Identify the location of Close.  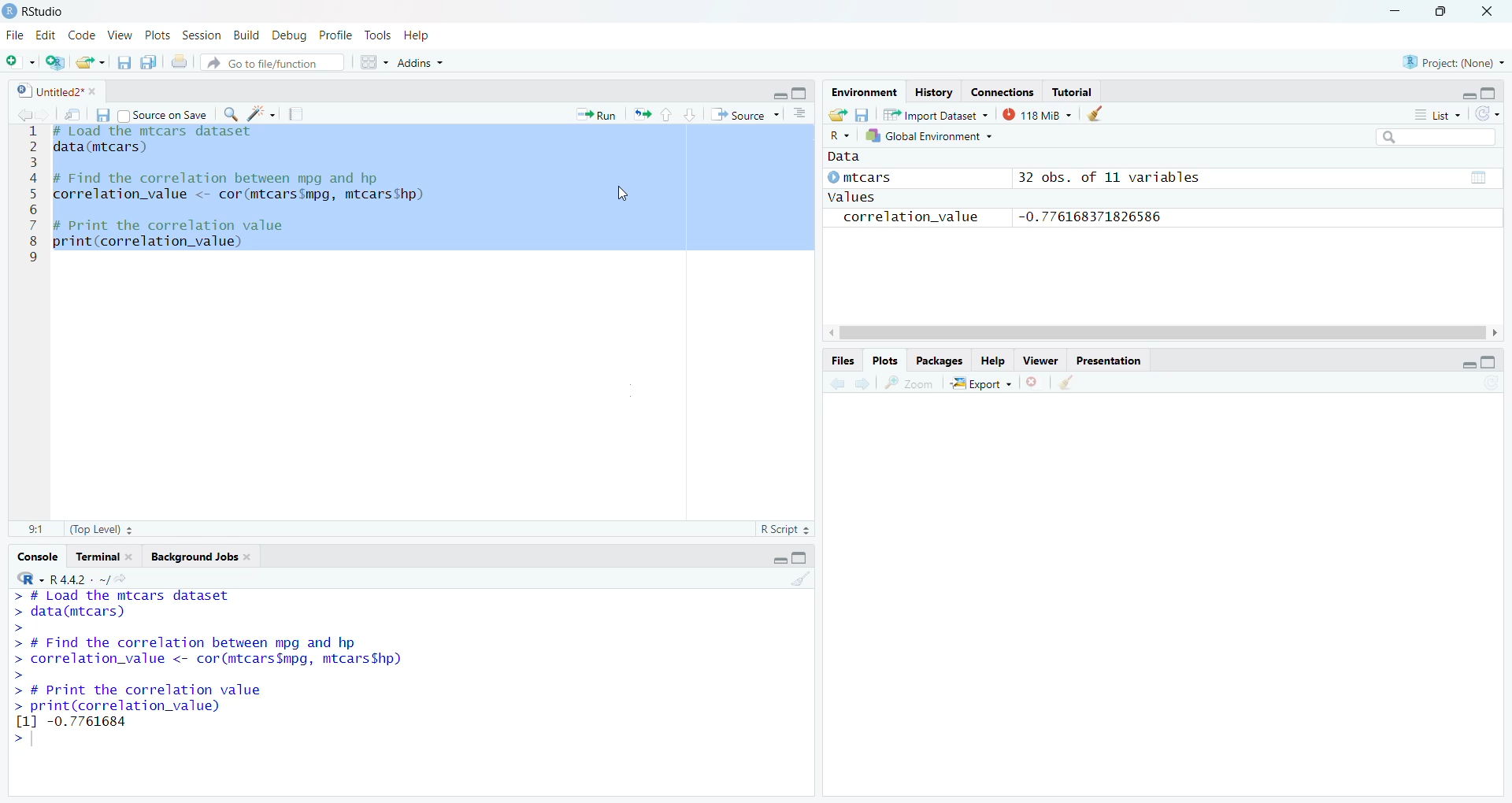
(1492, 9).